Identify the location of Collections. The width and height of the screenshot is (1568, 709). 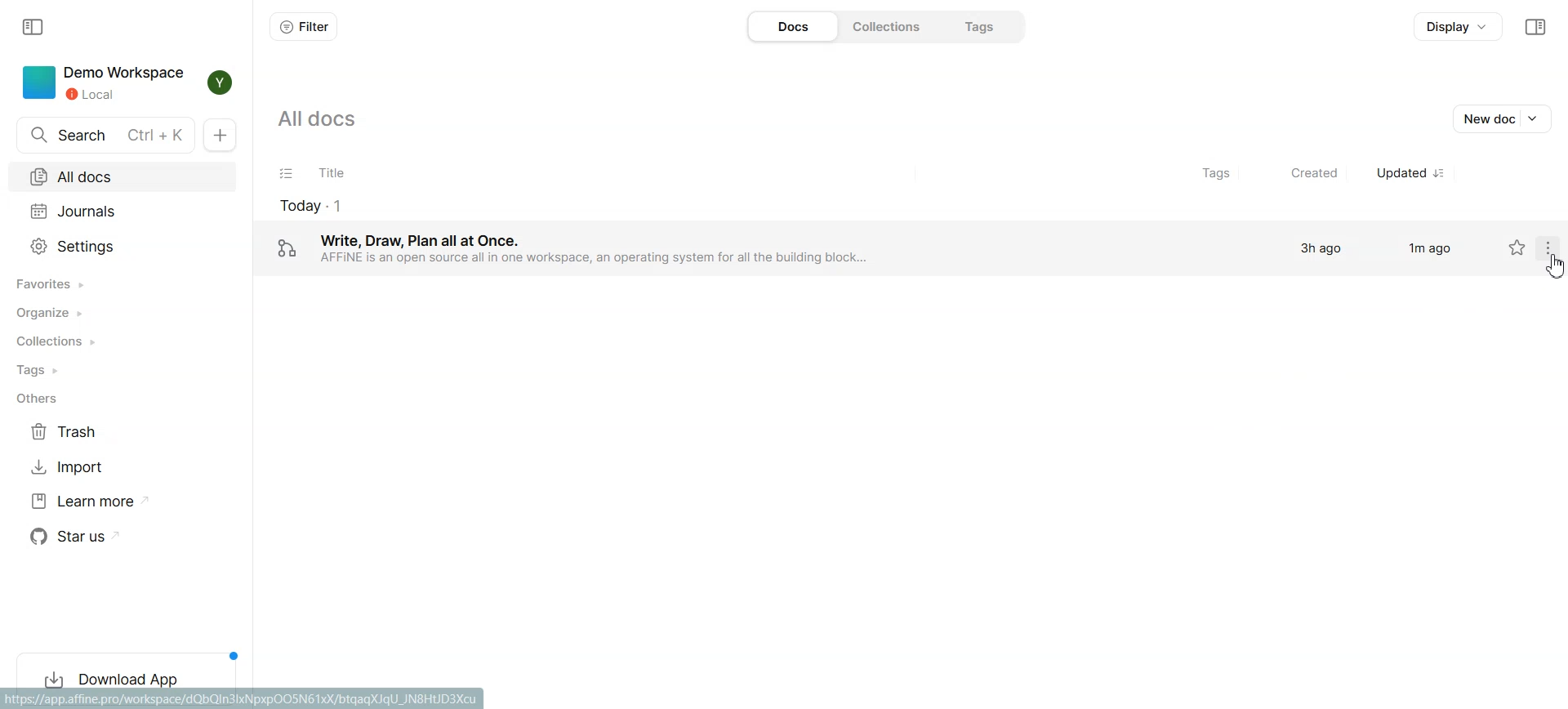
(891, 26).